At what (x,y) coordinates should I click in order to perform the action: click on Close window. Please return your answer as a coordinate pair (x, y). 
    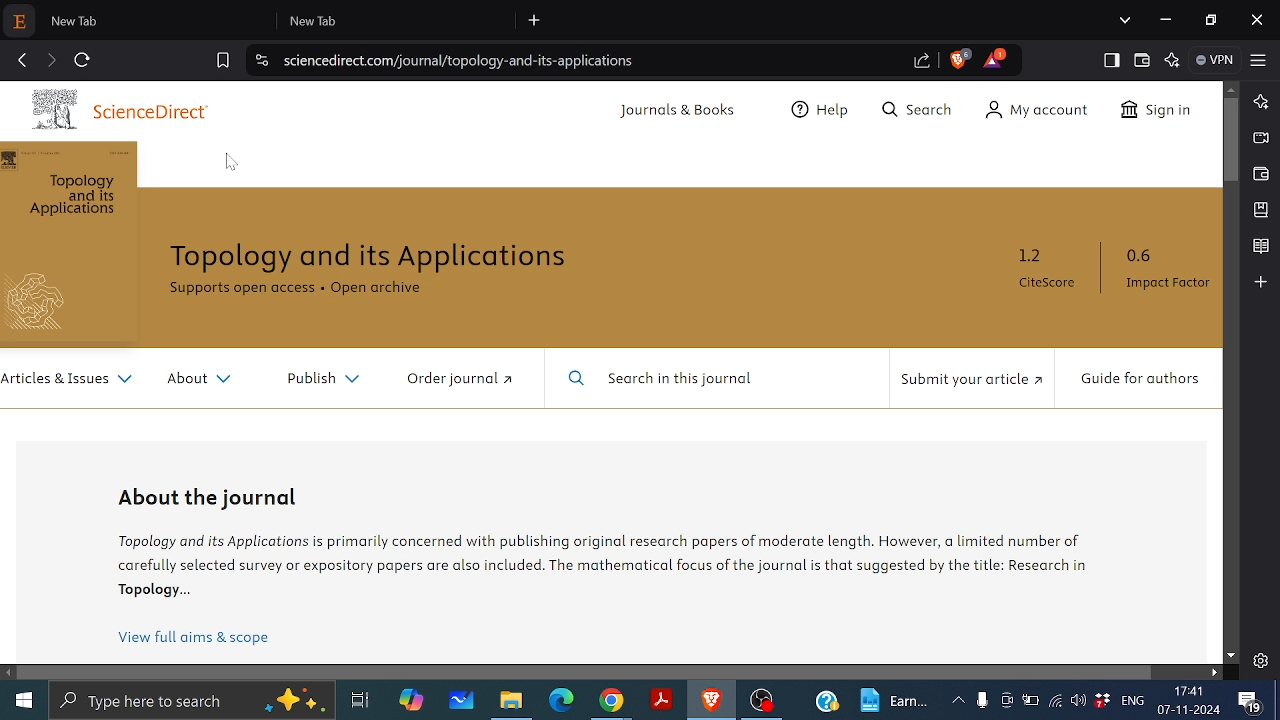
    Looking at the image, I should click on (1259, 20).